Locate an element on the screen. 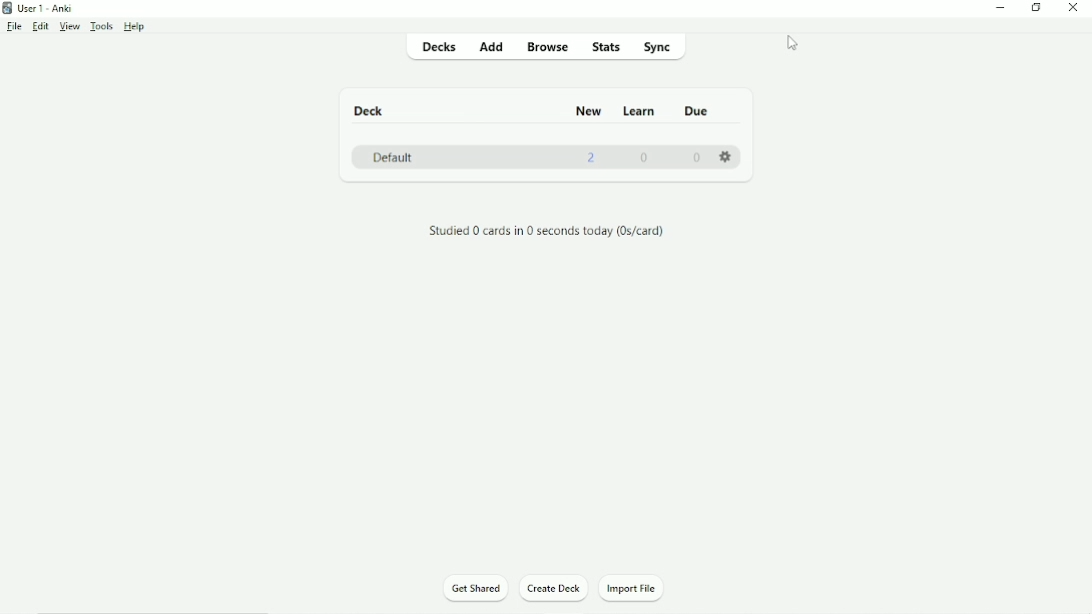 This screenshot has height=614, width=1092. Restore down is located at coordinates (1035, 7).